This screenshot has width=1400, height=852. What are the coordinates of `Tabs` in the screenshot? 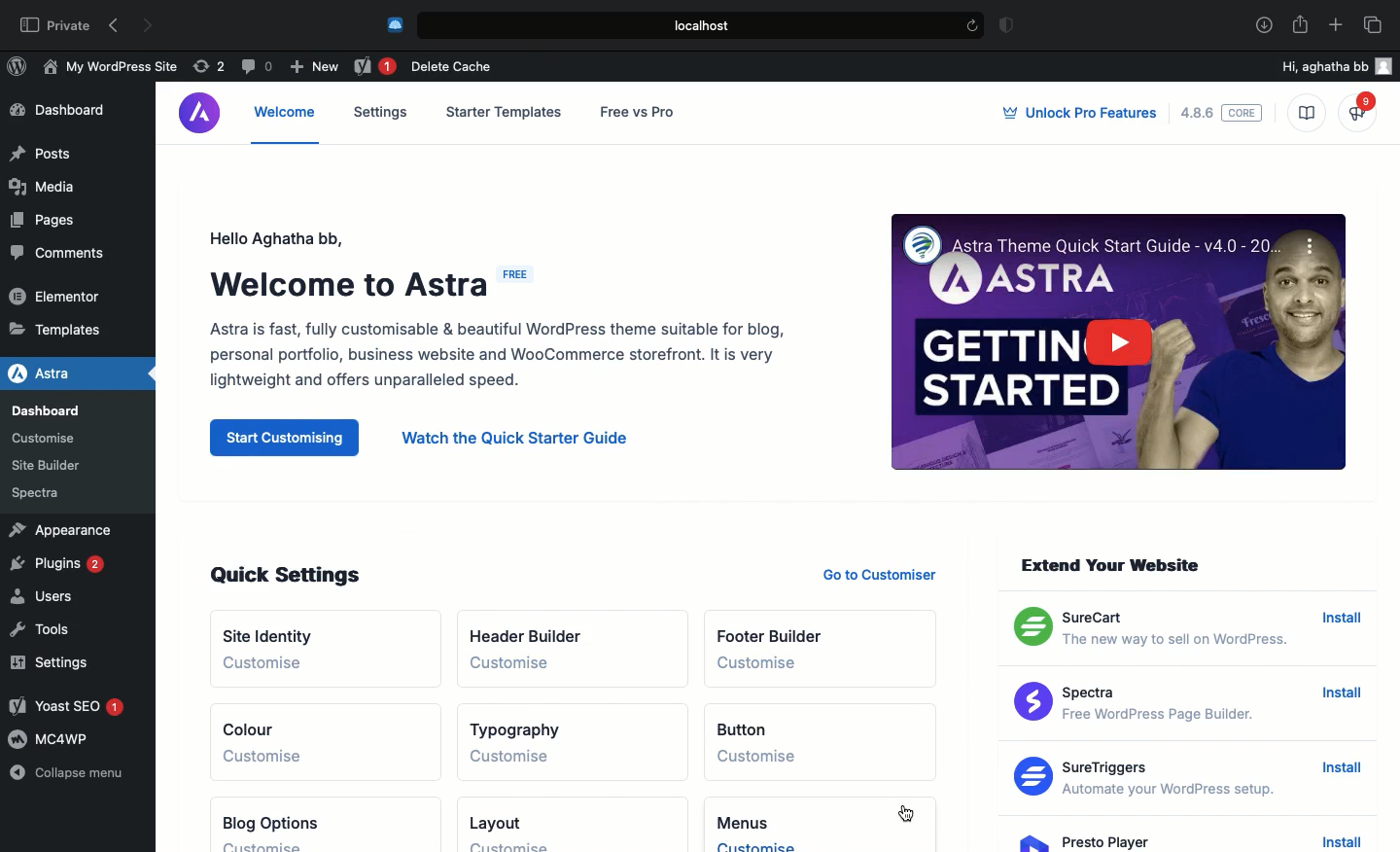 It's located at (1374, 24).